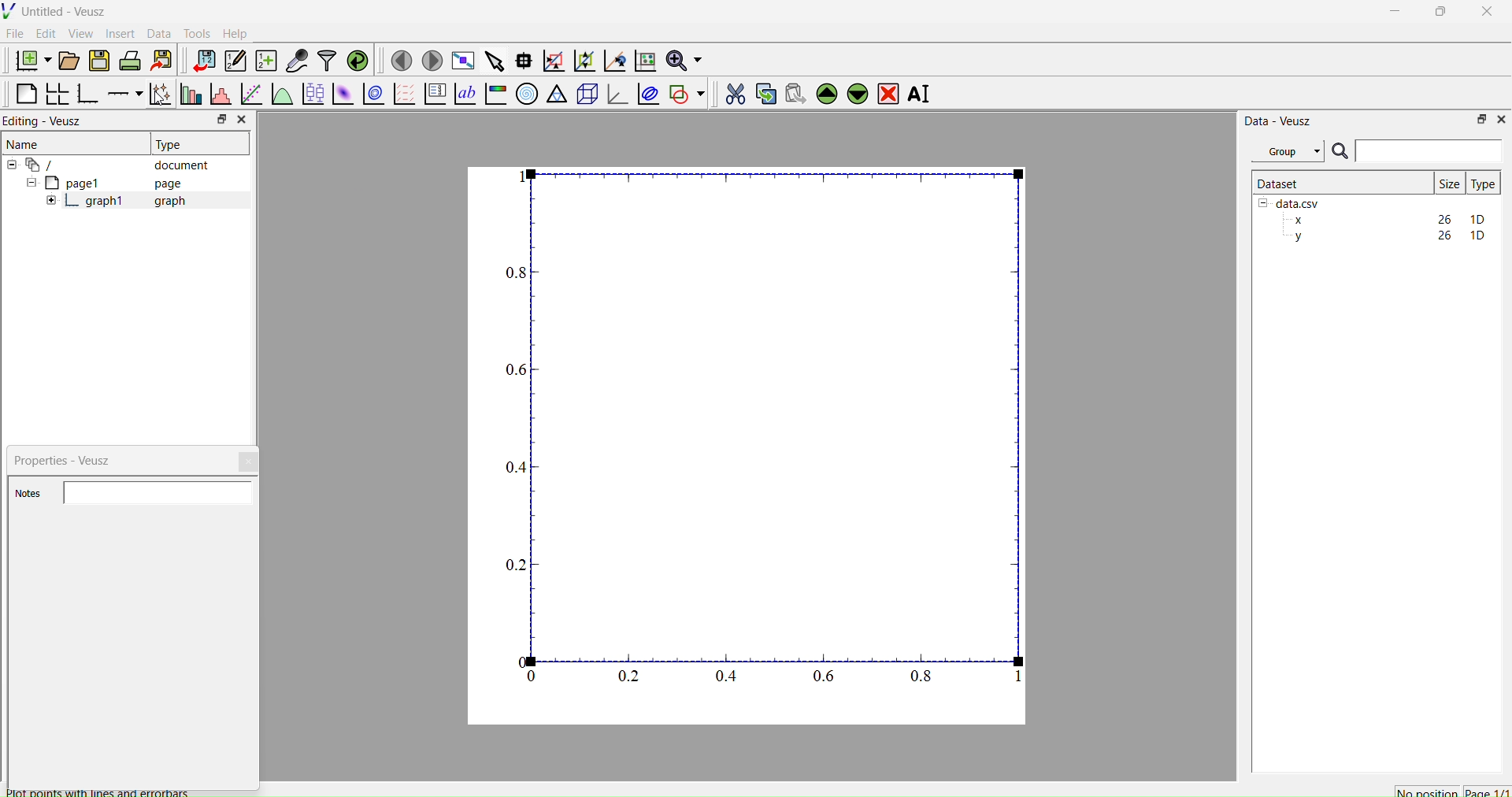 The image size is (1512, 797). What do you see at coordinates (793, 91) in the screenshot?
I see `Paste` at bounding box center [793, 91].